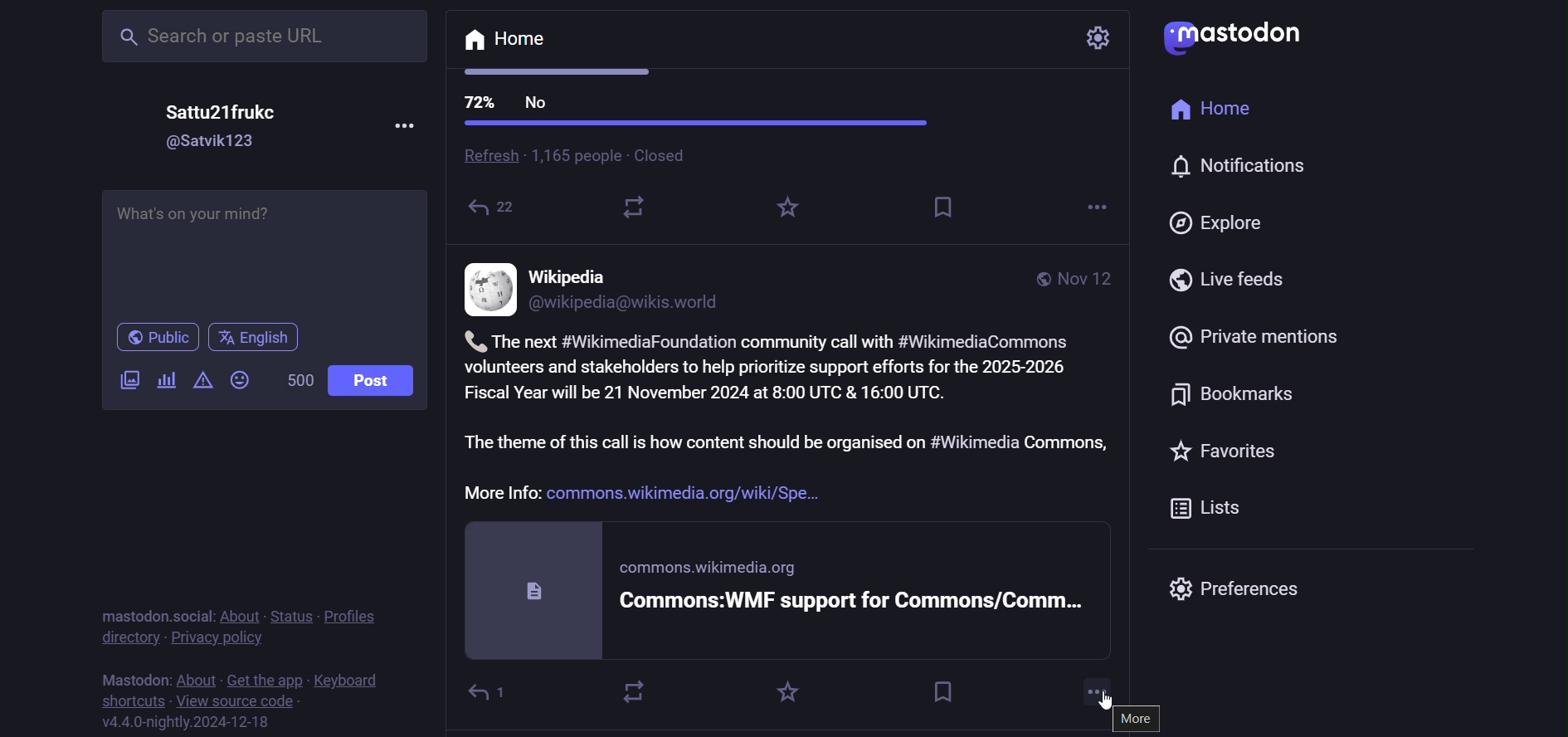 This screenshot has height=737, width=1568. Describe the element at coordinates (859, 602) in the screenshot. I see `Commons:WMF support for Commons/Comm...` at that location.